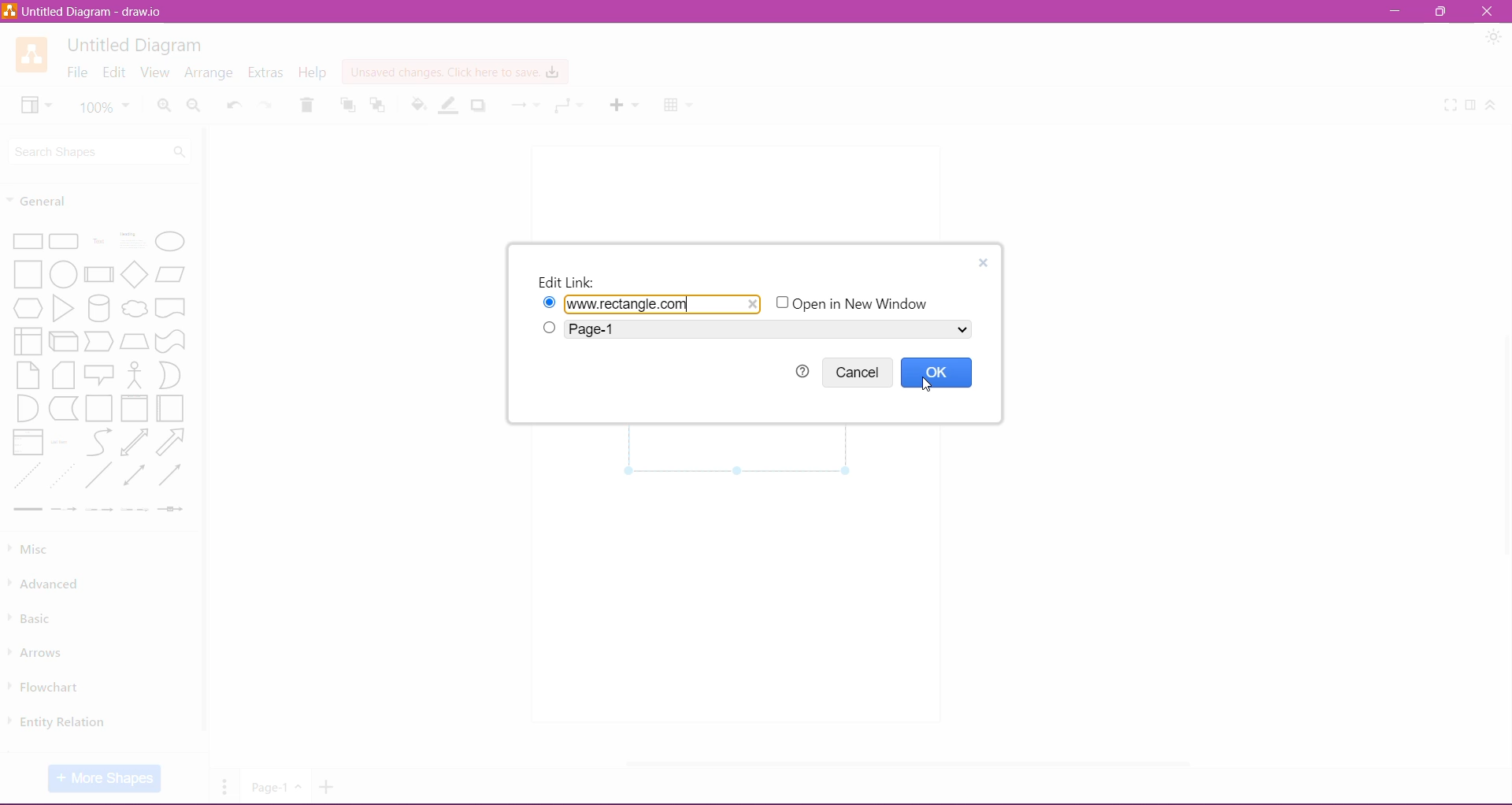 This screenshot has height=805, width=1512. What do you see at coordinates (154, 72) in the screenshot?
I see `View` at bounding box center [154, 72].